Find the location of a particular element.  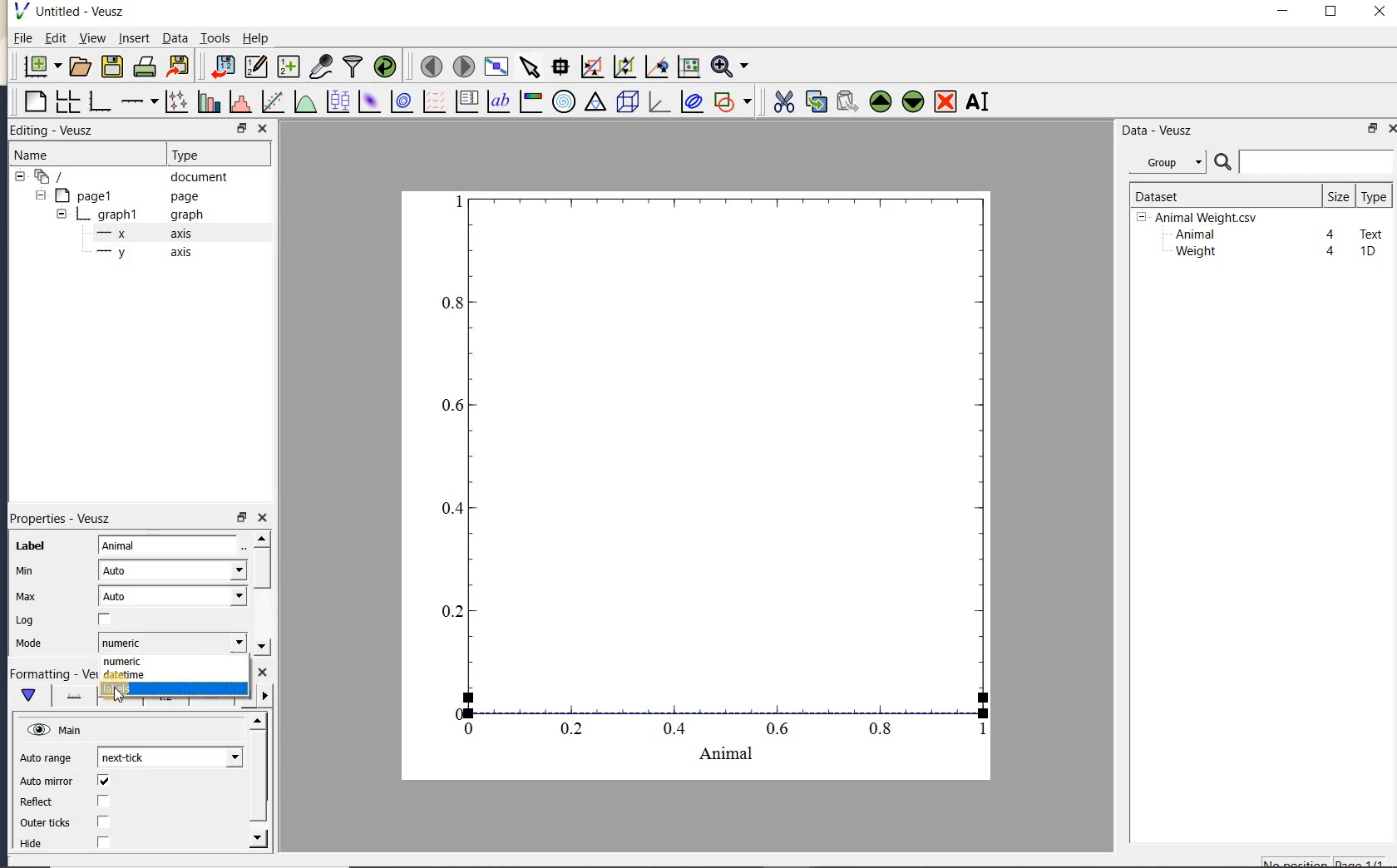

view plot full screen is located at coordinates (496, 67).